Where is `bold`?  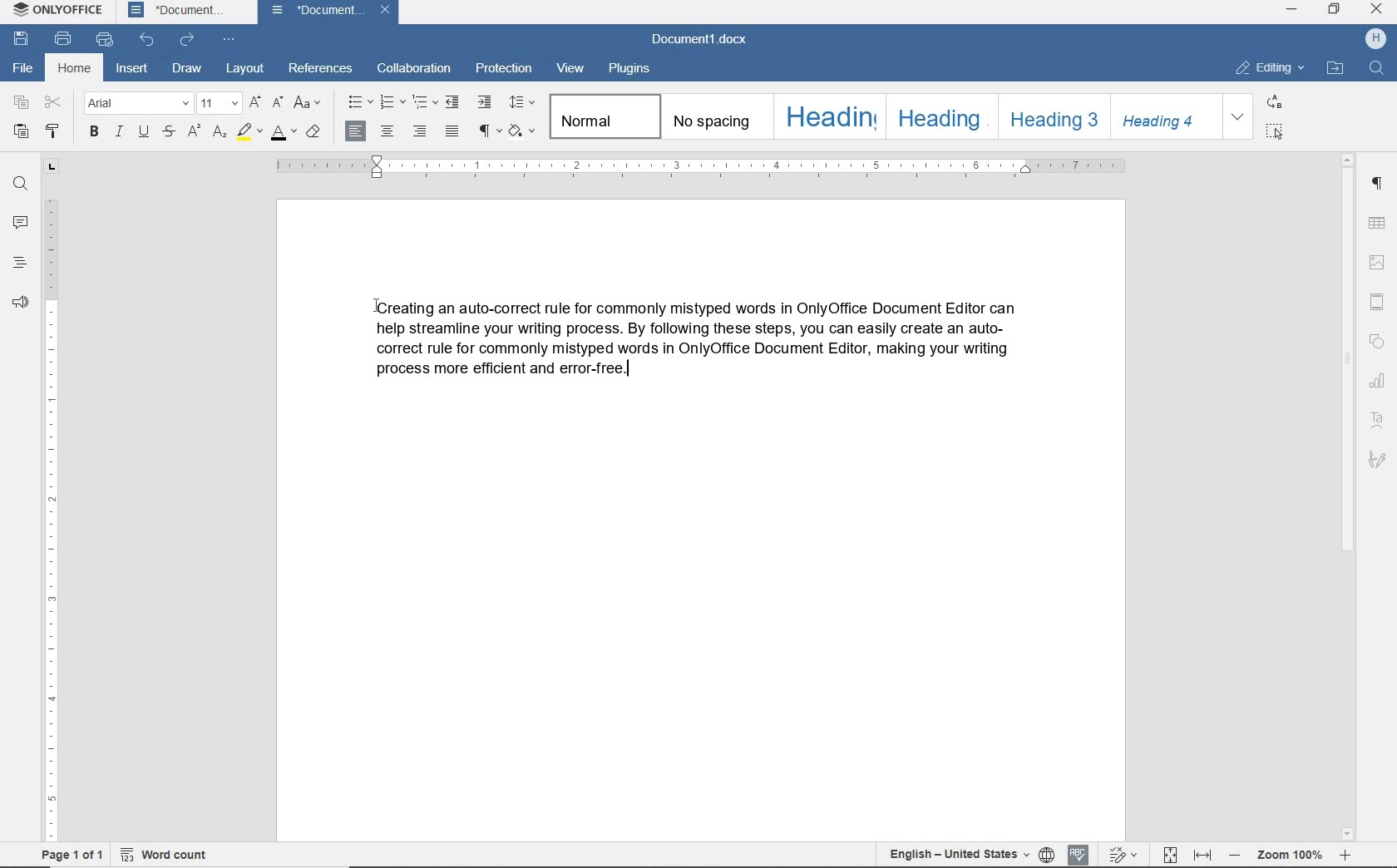
bold is located at coordinates (95, 132).